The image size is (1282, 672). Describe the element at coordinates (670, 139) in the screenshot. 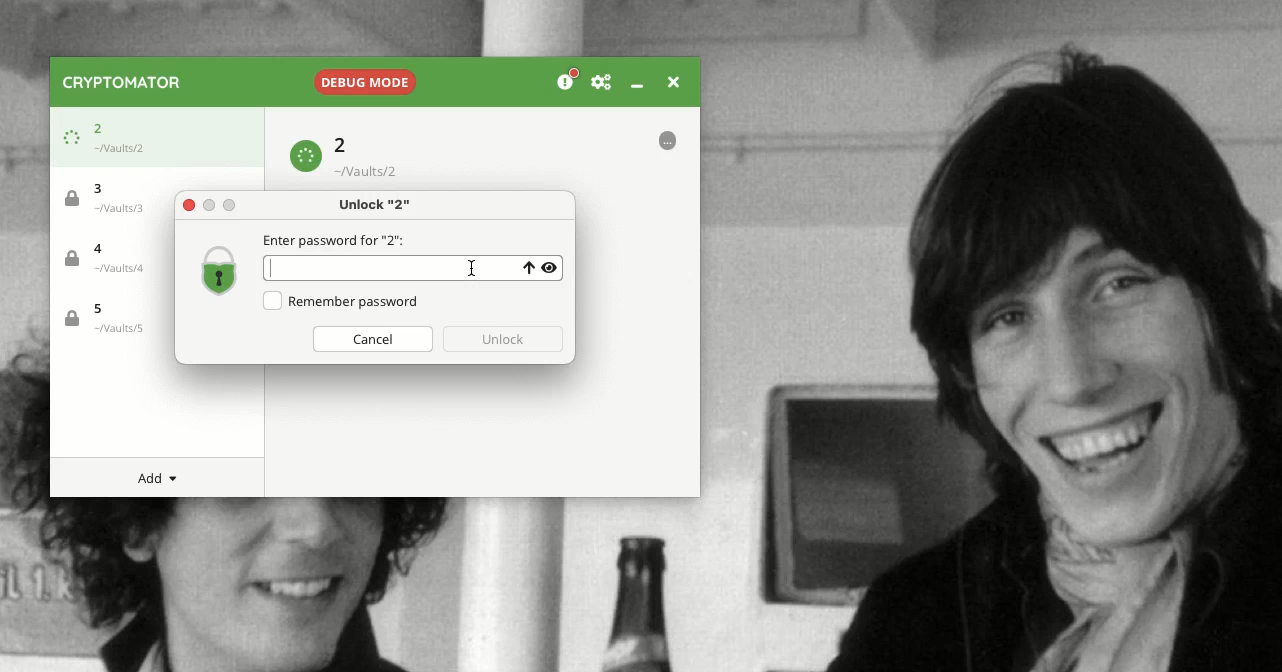

I see `More options` at that location.